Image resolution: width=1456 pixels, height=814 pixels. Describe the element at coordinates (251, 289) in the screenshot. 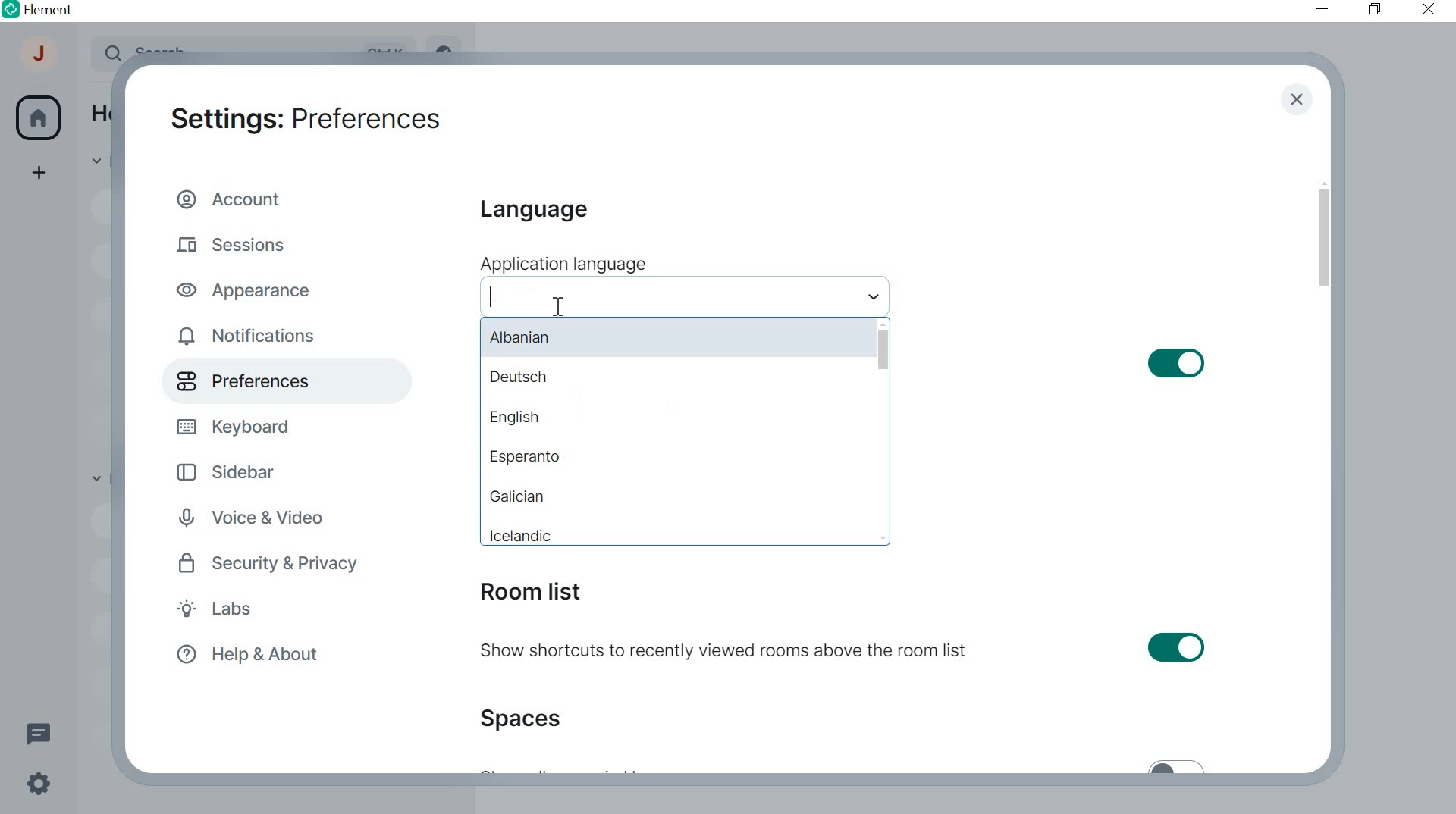

I see `APPEARANCE` at that location.